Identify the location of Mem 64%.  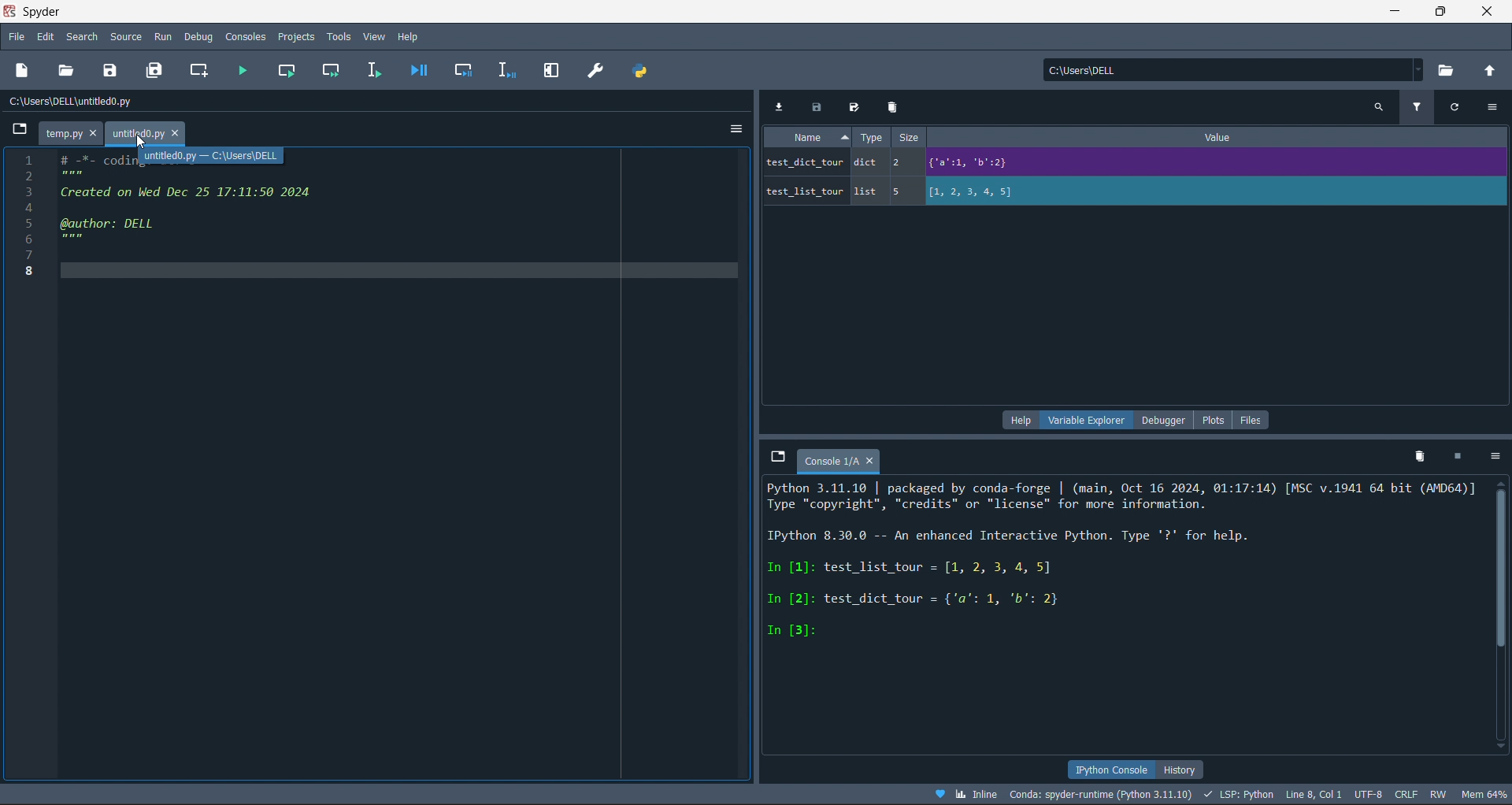
(1482, 795).